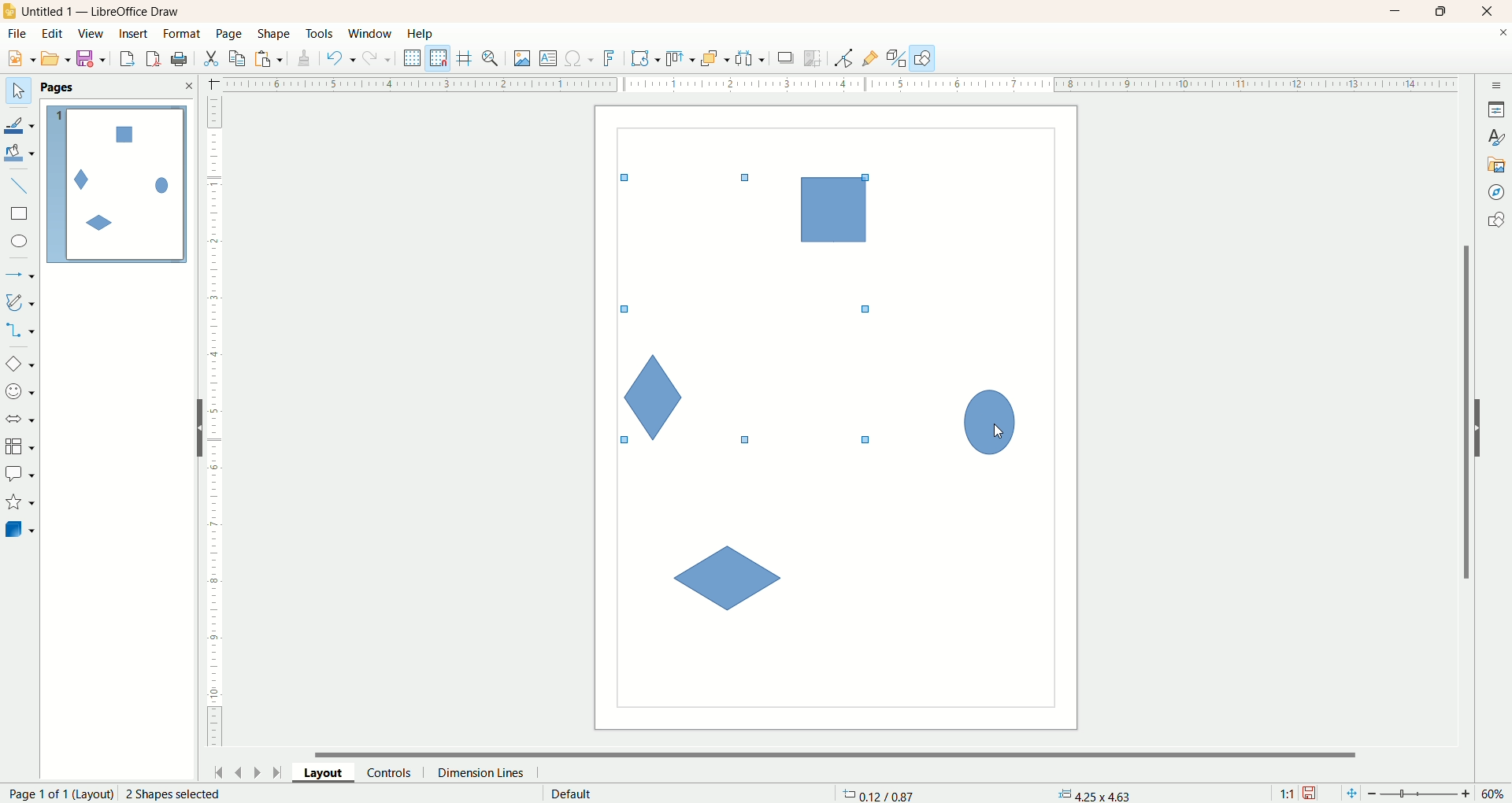 This screenshot has width=1512, height=803. What do you see at coordinates (272, 57) in the screenshot?
I see `paste` at bounding box center [272, 57].